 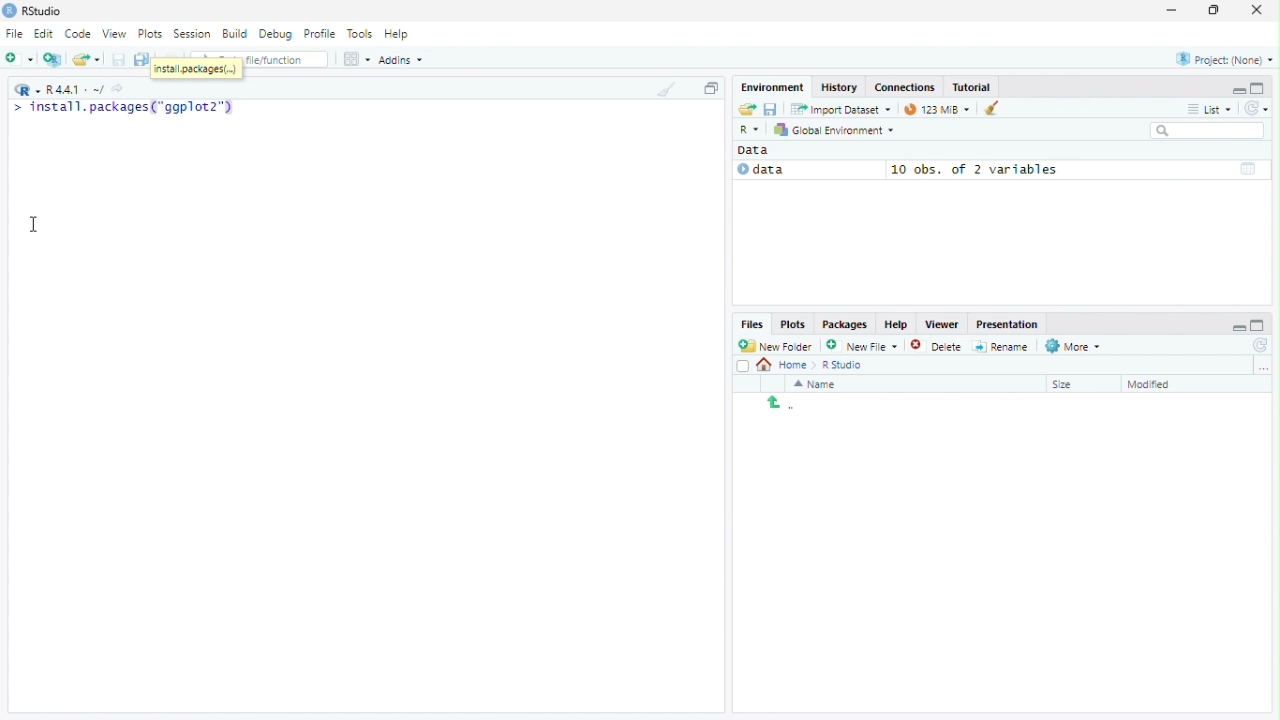 I want to click on View by list, so click(x=1210, y=109).